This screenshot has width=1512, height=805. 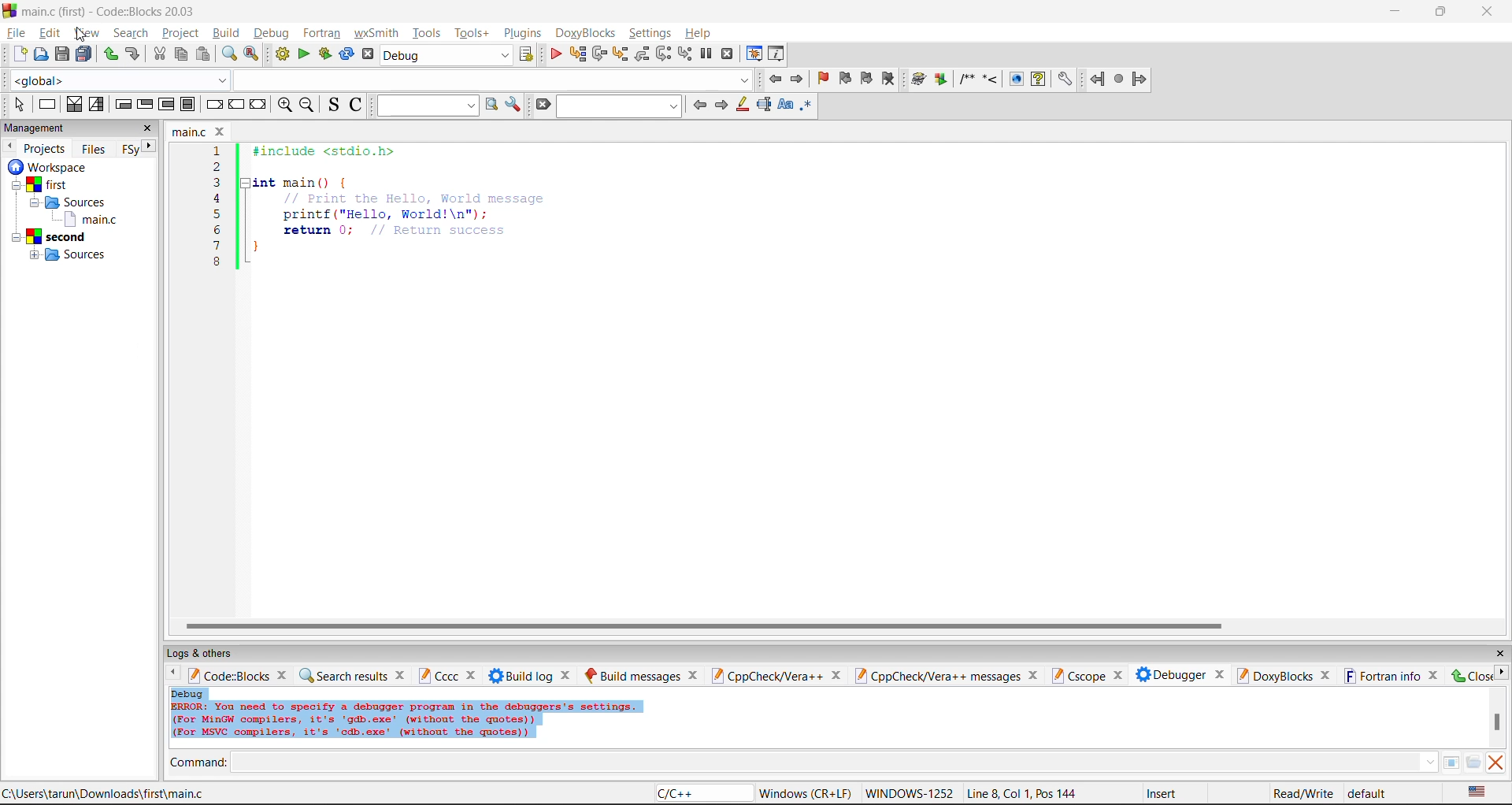 What do you see at coordinates (79, 255) in the screenshot?
I see `Sources` at bounding box center [79, 255].